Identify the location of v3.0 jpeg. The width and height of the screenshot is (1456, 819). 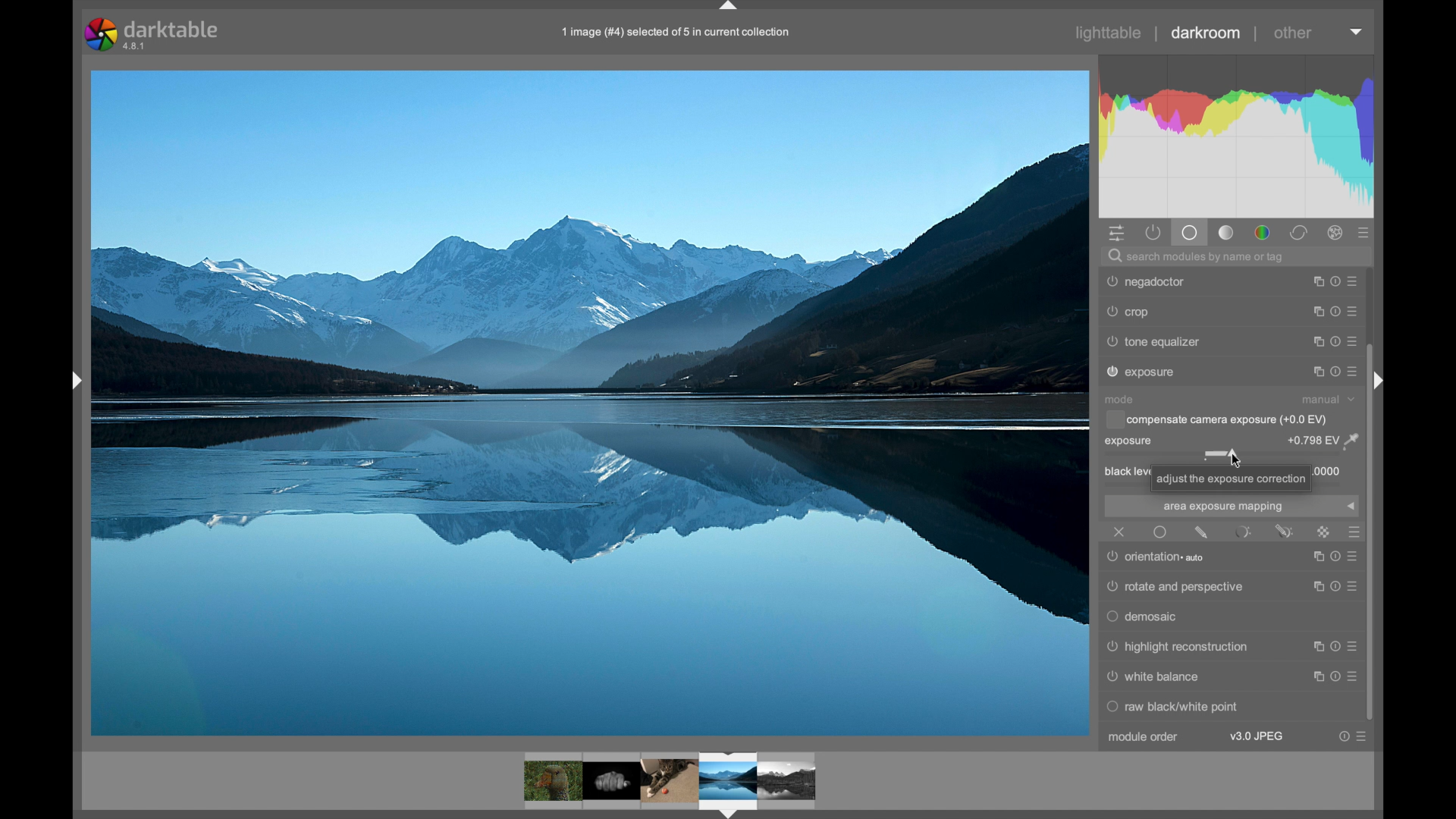
(1258, 736).